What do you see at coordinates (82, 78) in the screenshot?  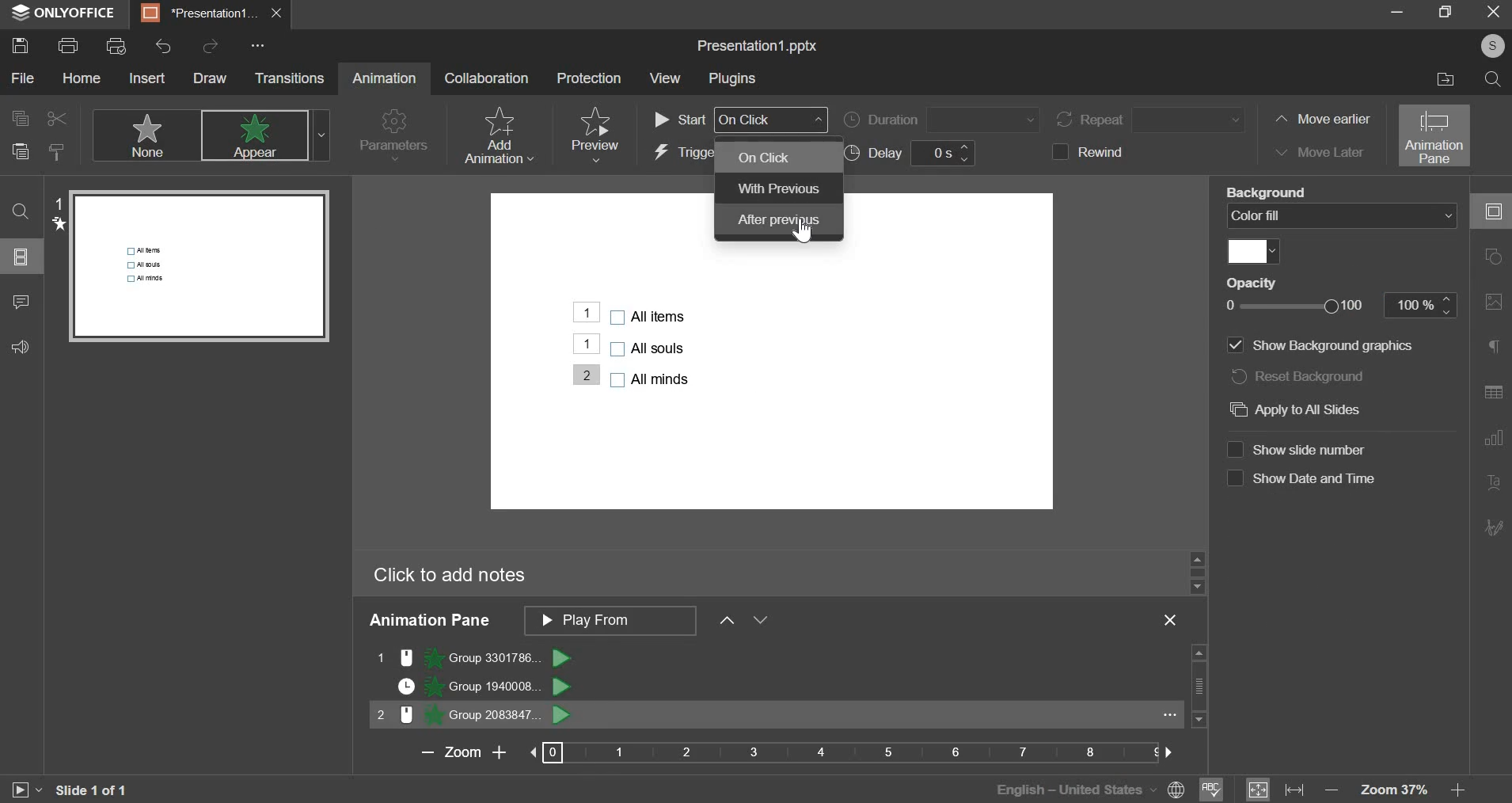 I see `home` at bounding box center [82, 78].